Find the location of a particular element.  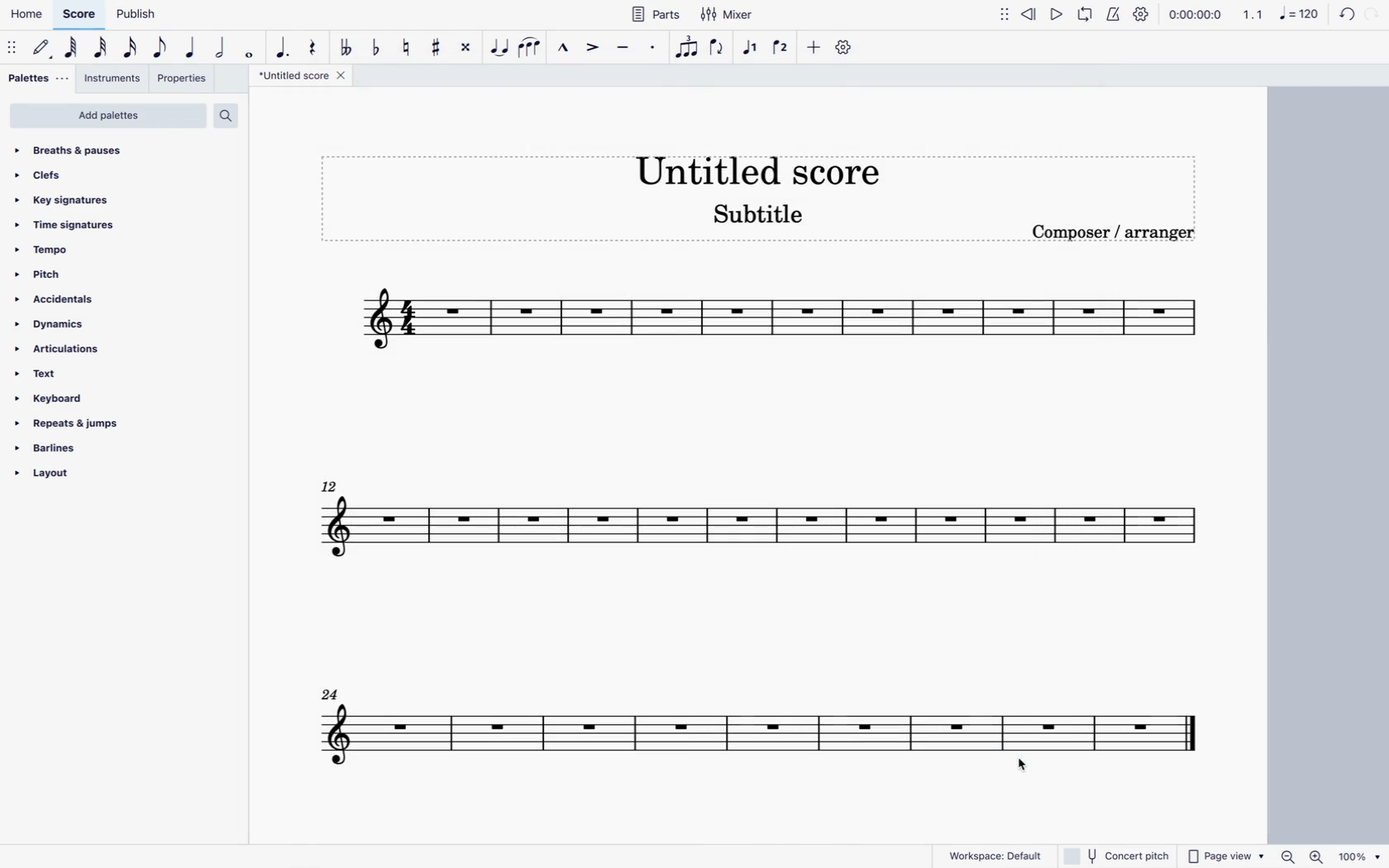

publish is located at coordinates (141, 16).